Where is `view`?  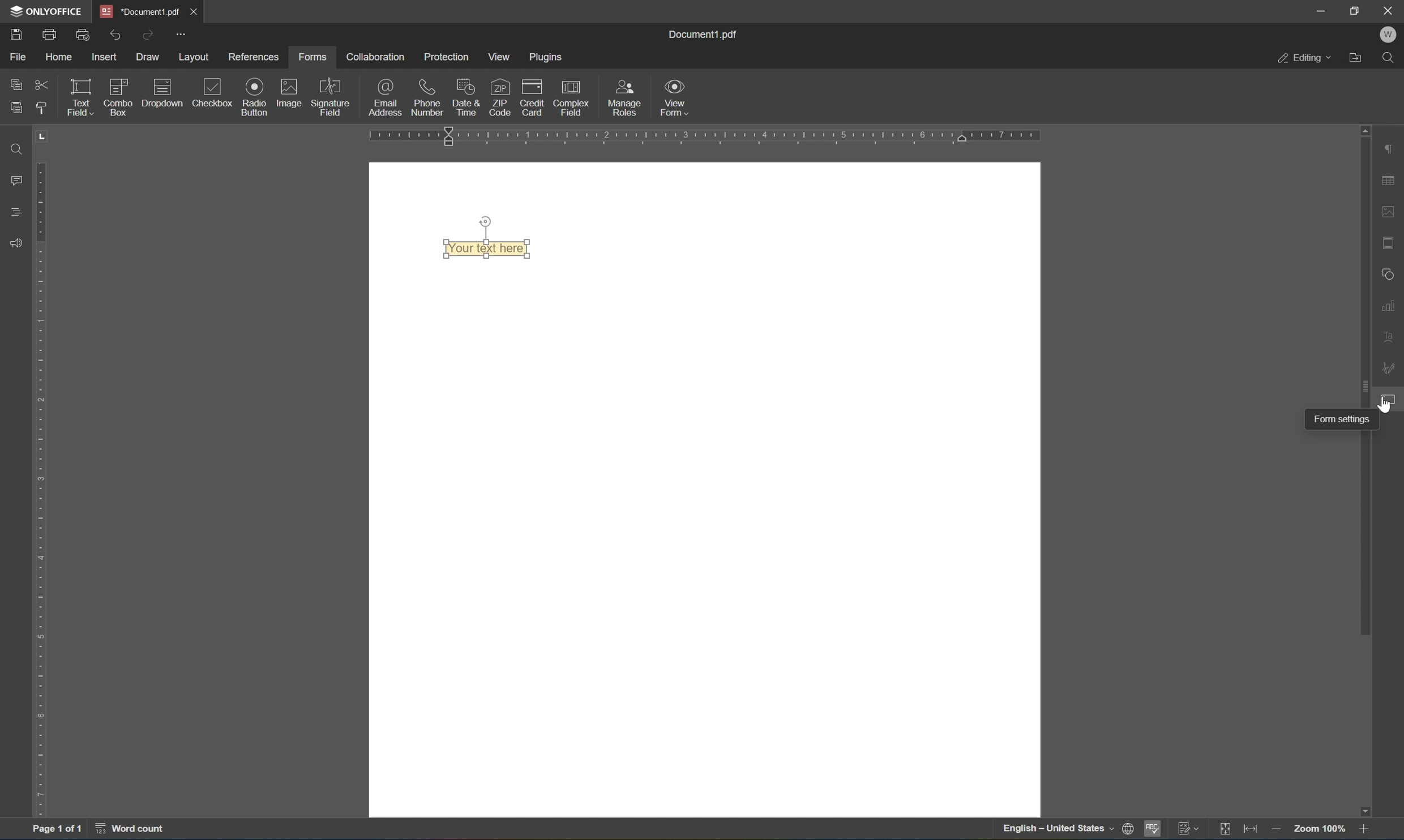
view is located at coordinates (499, 55).